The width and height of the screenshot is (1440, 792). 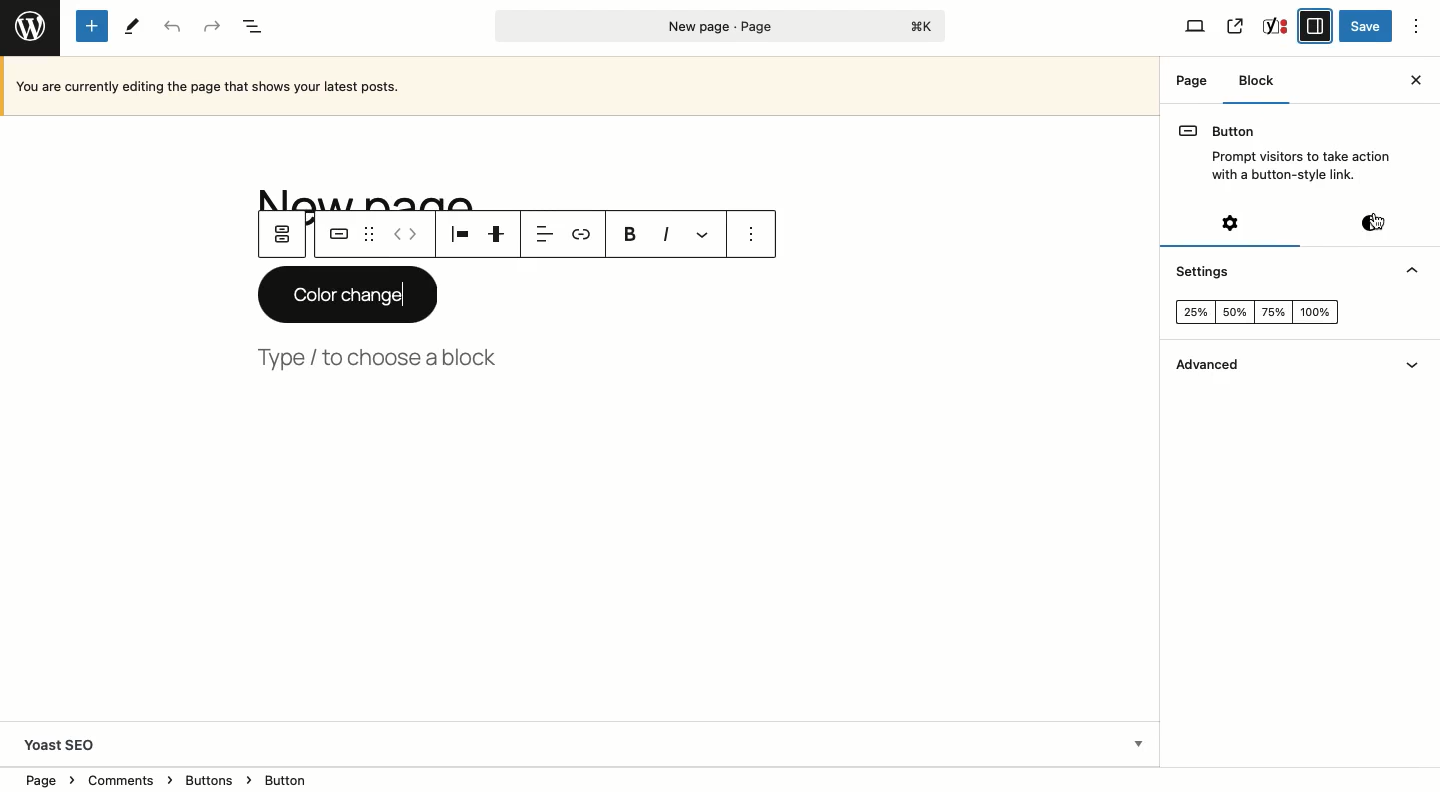 What do you see at coordinates (1414, 80) in the screenshot?
I see `Close` at bounding box center [1414, 80].